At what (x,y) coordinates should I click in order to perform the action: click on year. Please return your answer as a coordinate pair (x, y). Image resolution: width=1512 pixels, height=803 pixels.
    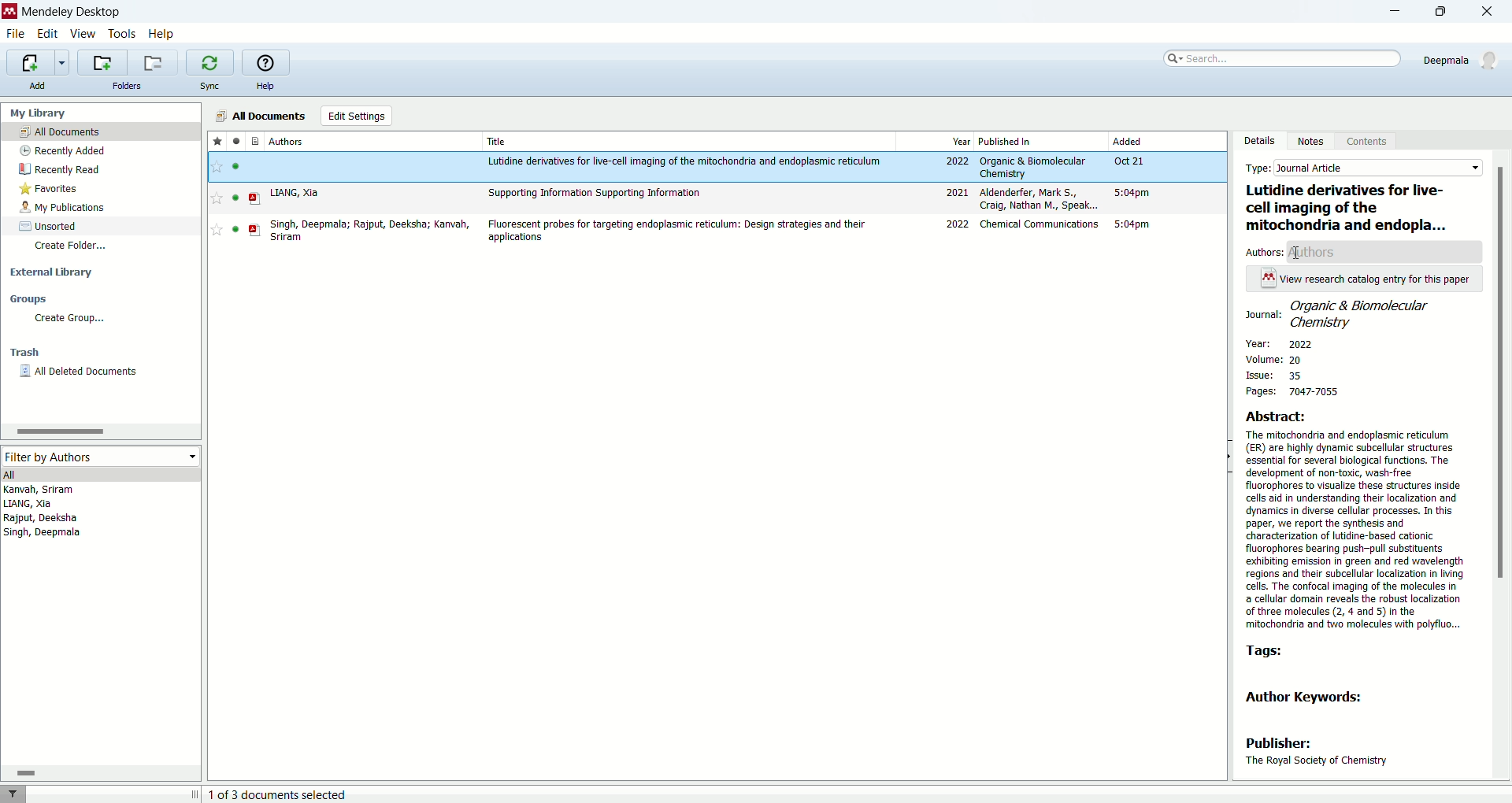
    Looking at the image, I should click on (958, 140).